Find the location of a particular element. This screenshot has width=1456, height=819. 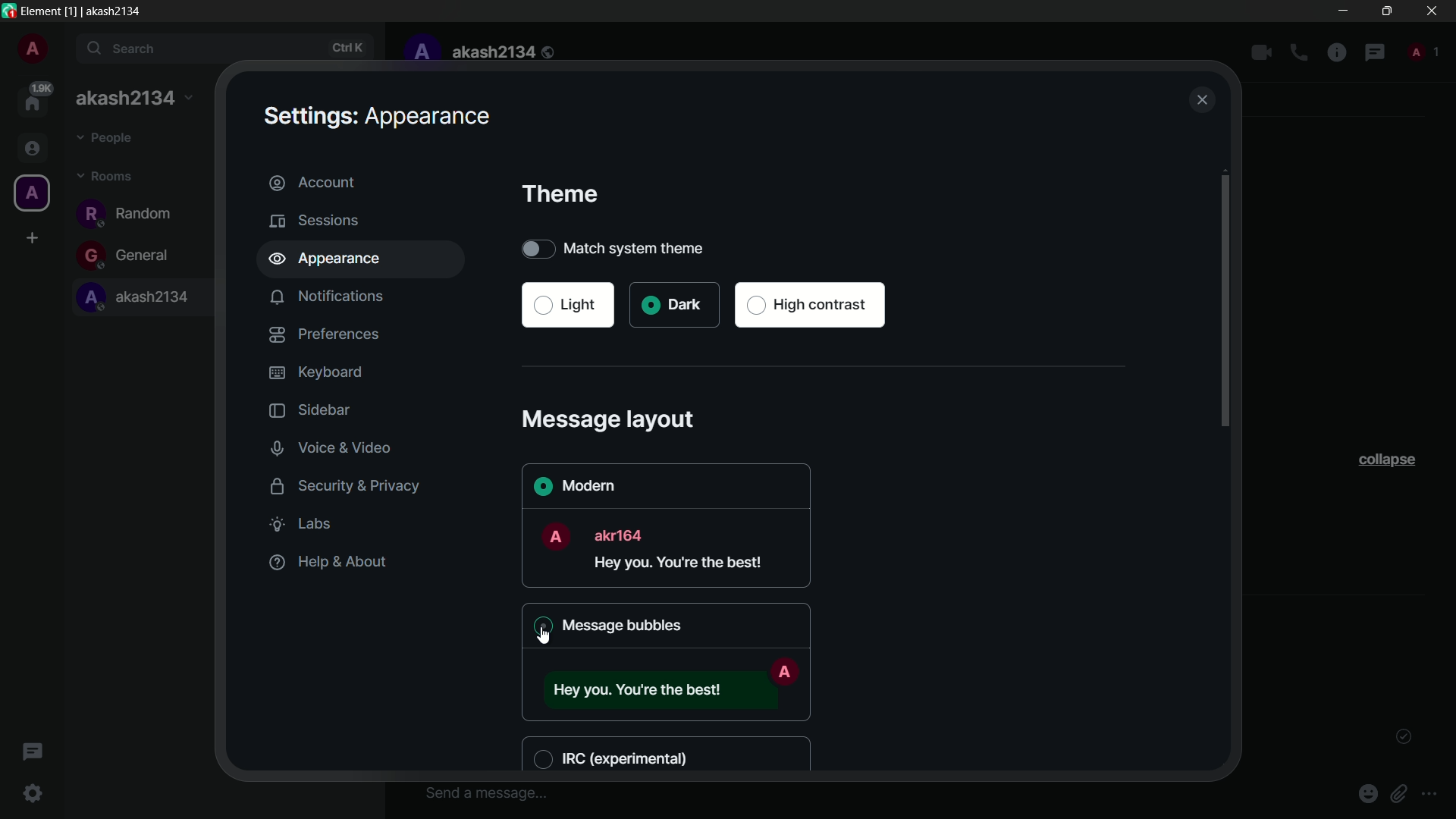

account is located at coordinates (363, 181).